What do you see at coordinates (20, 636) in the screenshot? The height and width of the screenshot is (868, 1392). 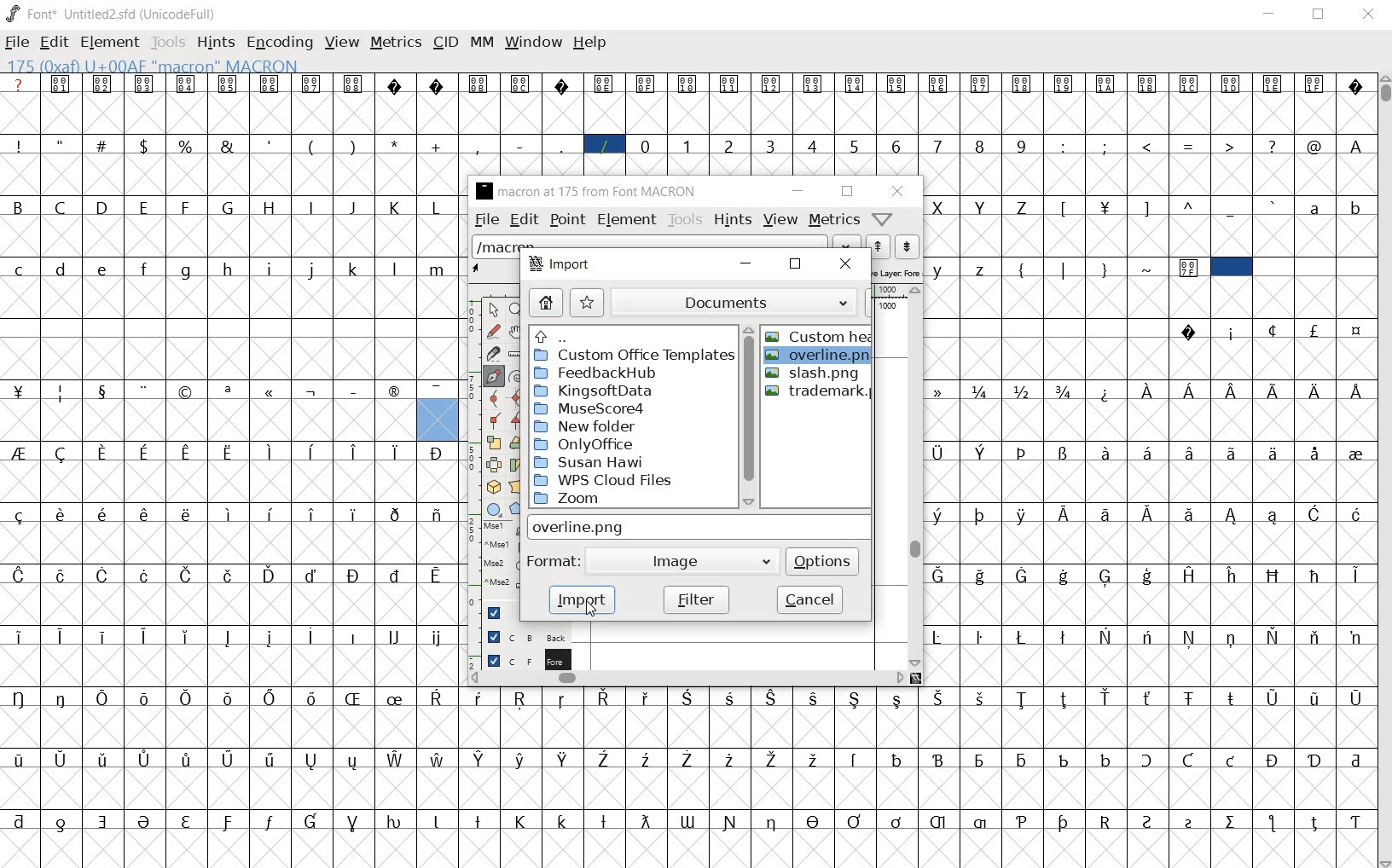 I see `Symbol` at bounding box center [20, 636].